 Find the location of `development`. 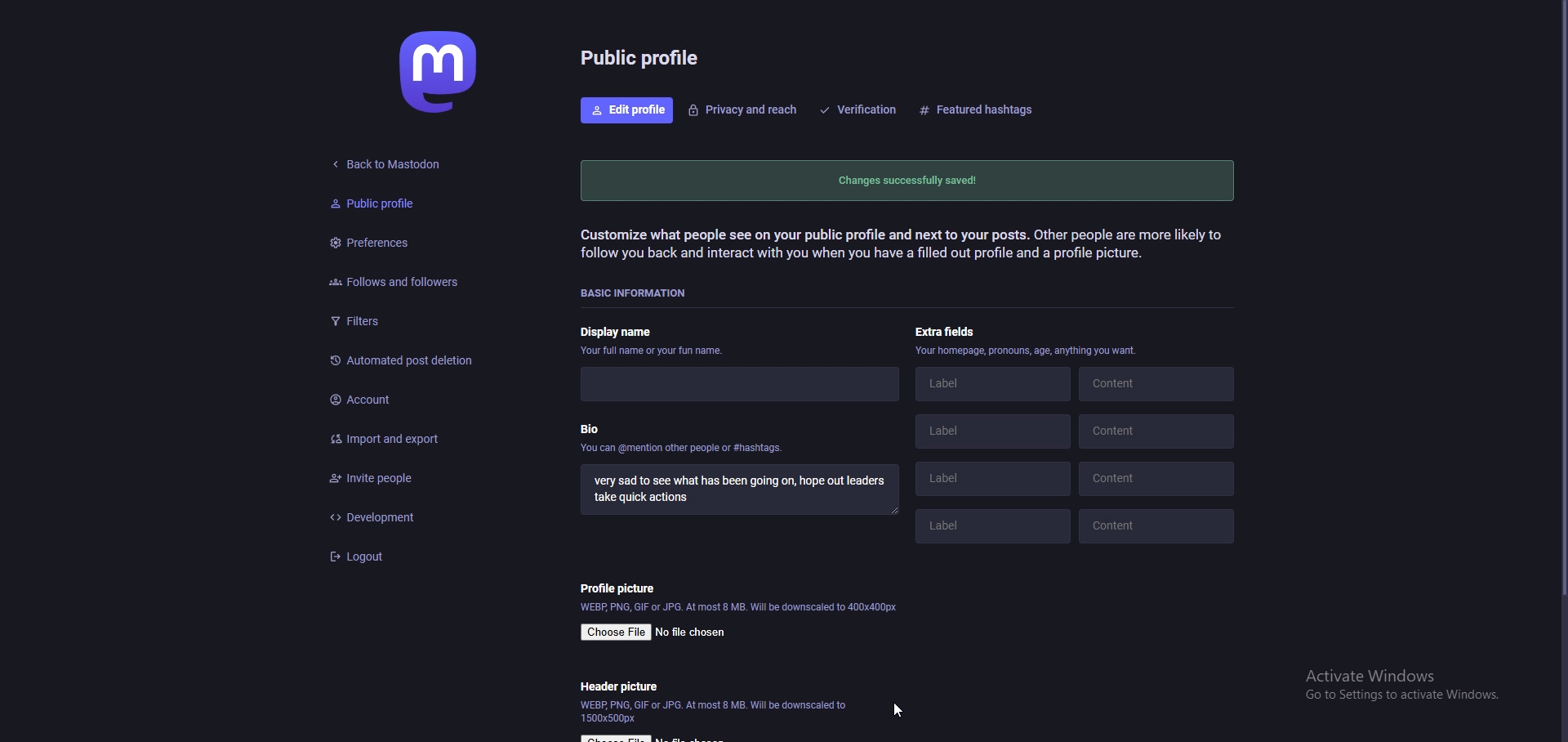

development is located at coordinates (406, 516).